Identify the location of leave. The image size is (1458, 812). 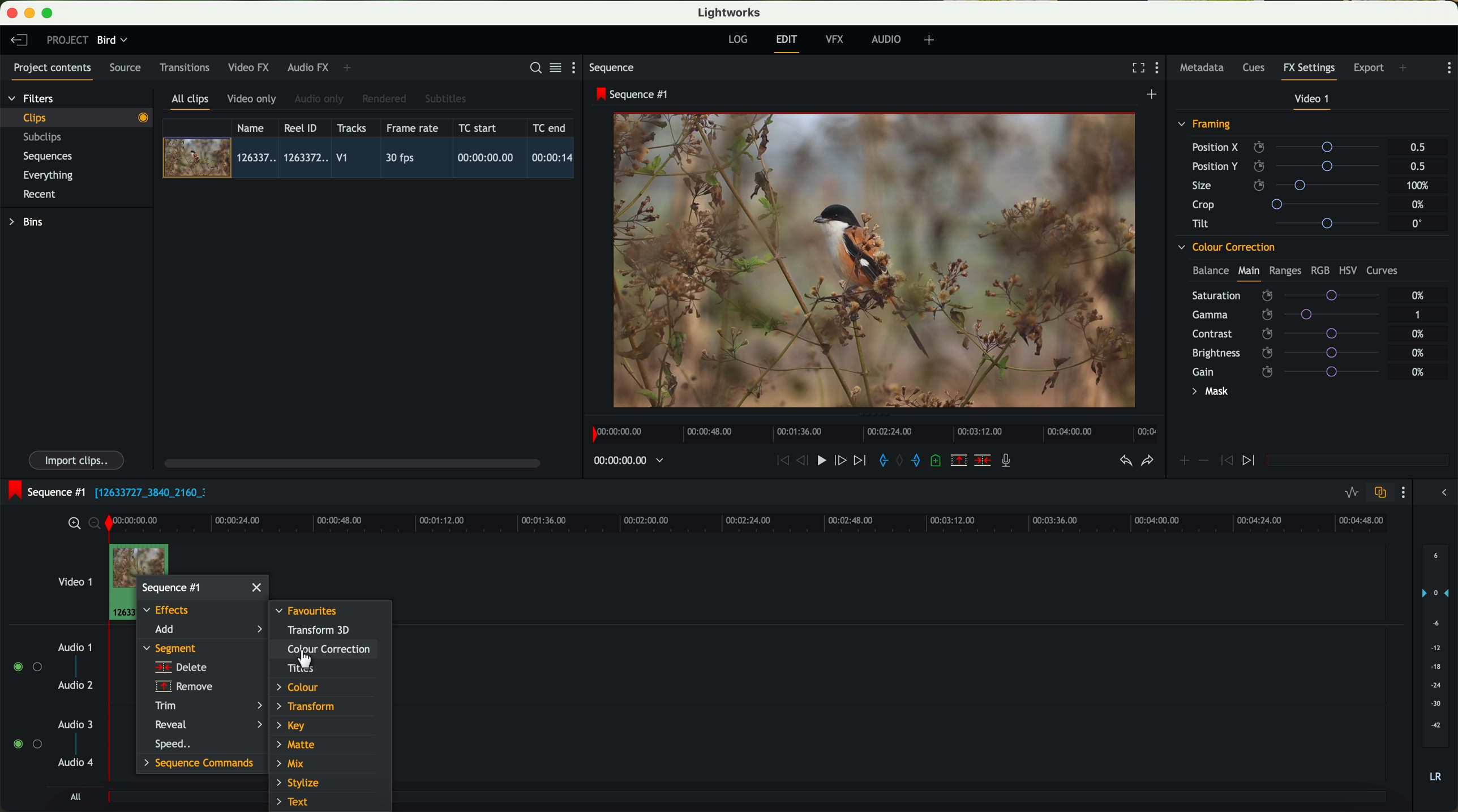
(19, 41).